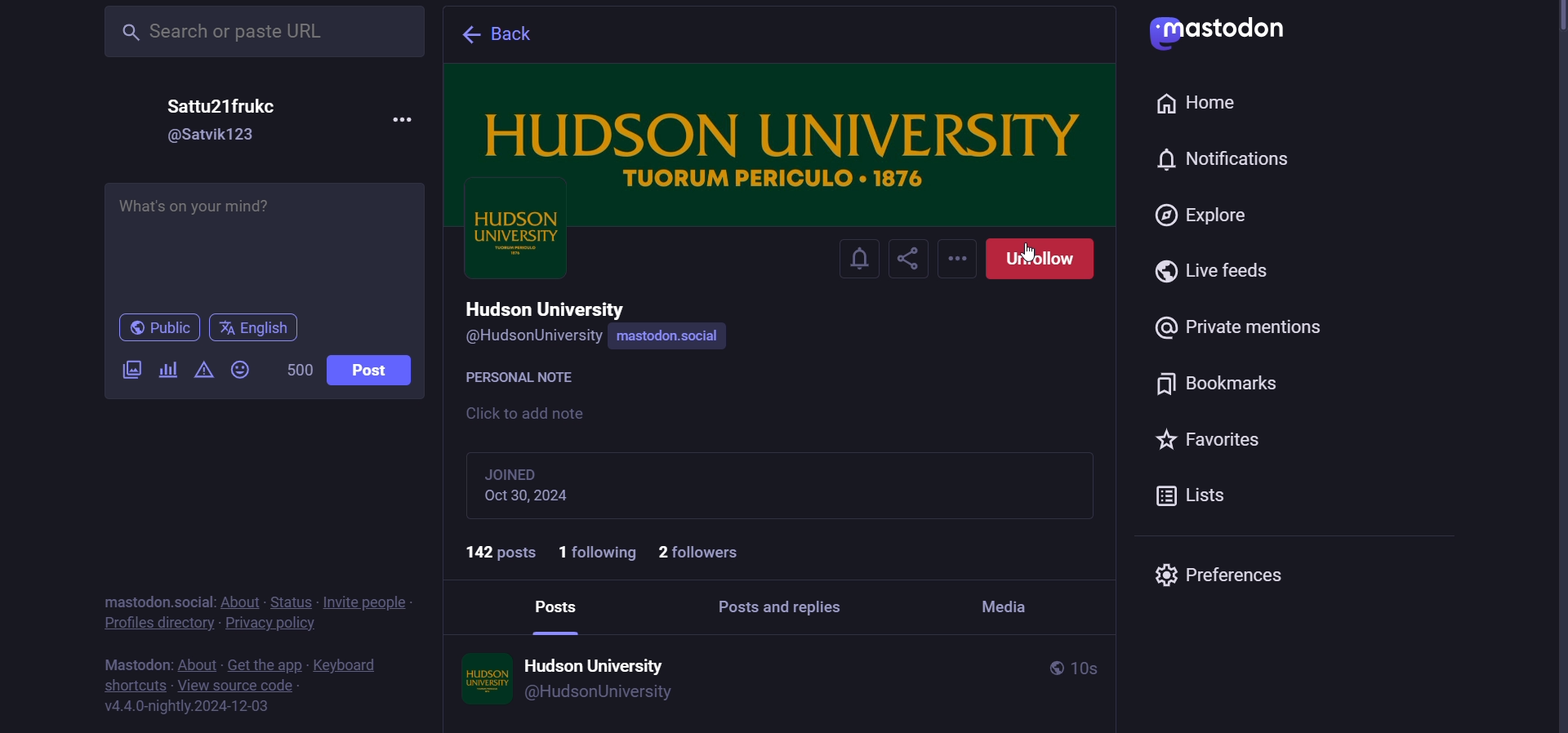 Image resolution: width=1568 pixels, height=733 pixels. I want to click on click to add note, so click(532, 415).